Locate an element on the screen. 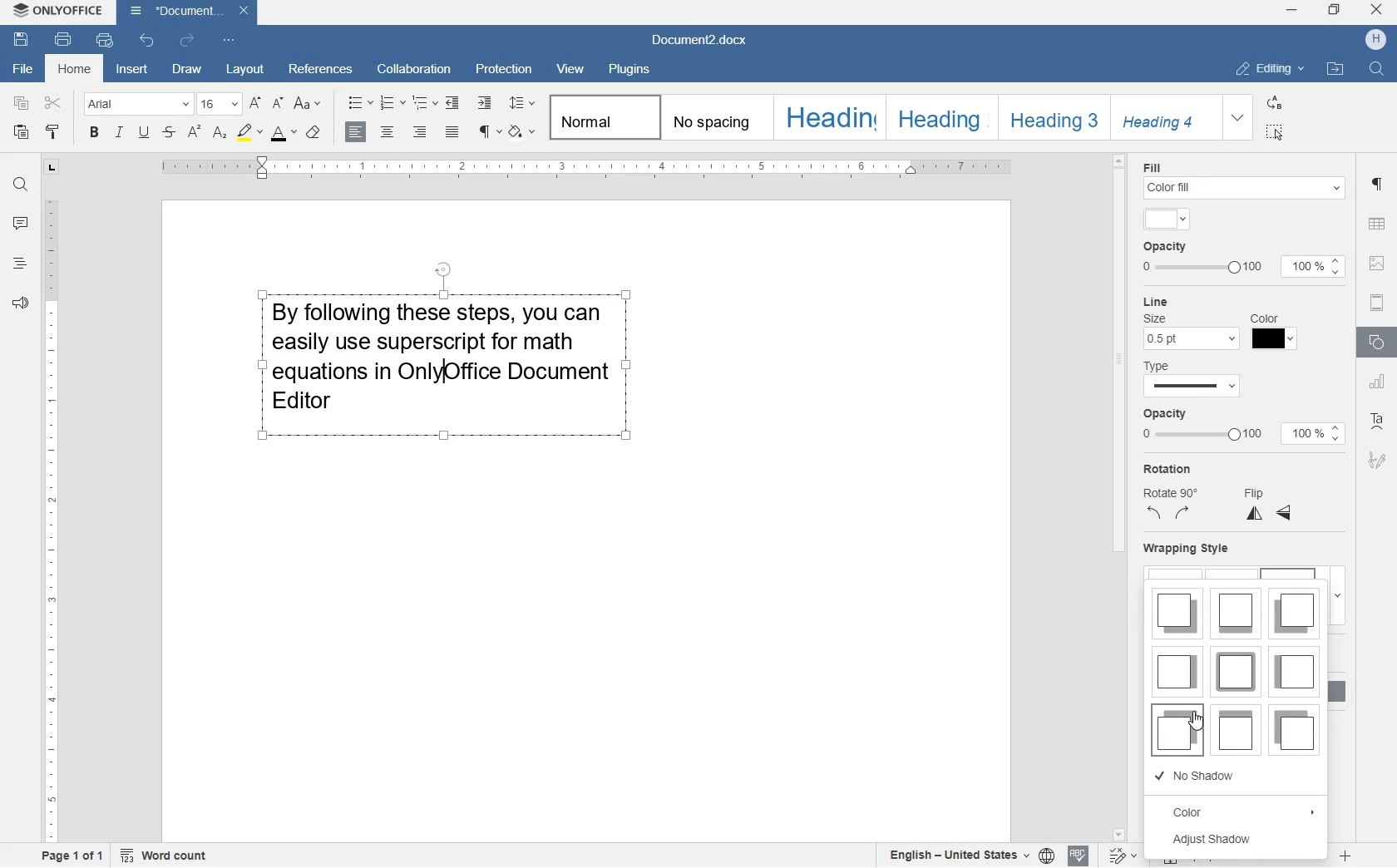 This screenshot has height=868, width=1397. layout is located at coordinates (245, 70).